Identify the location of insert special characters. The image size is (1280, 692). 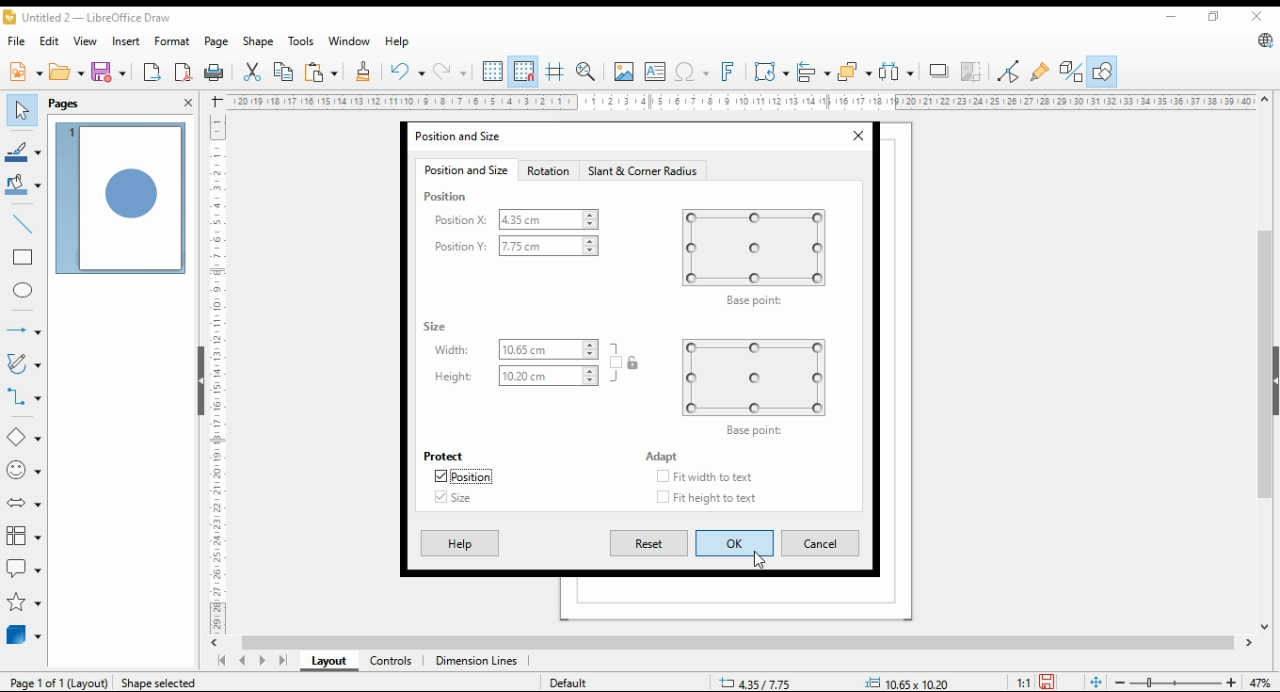
(694, 72).